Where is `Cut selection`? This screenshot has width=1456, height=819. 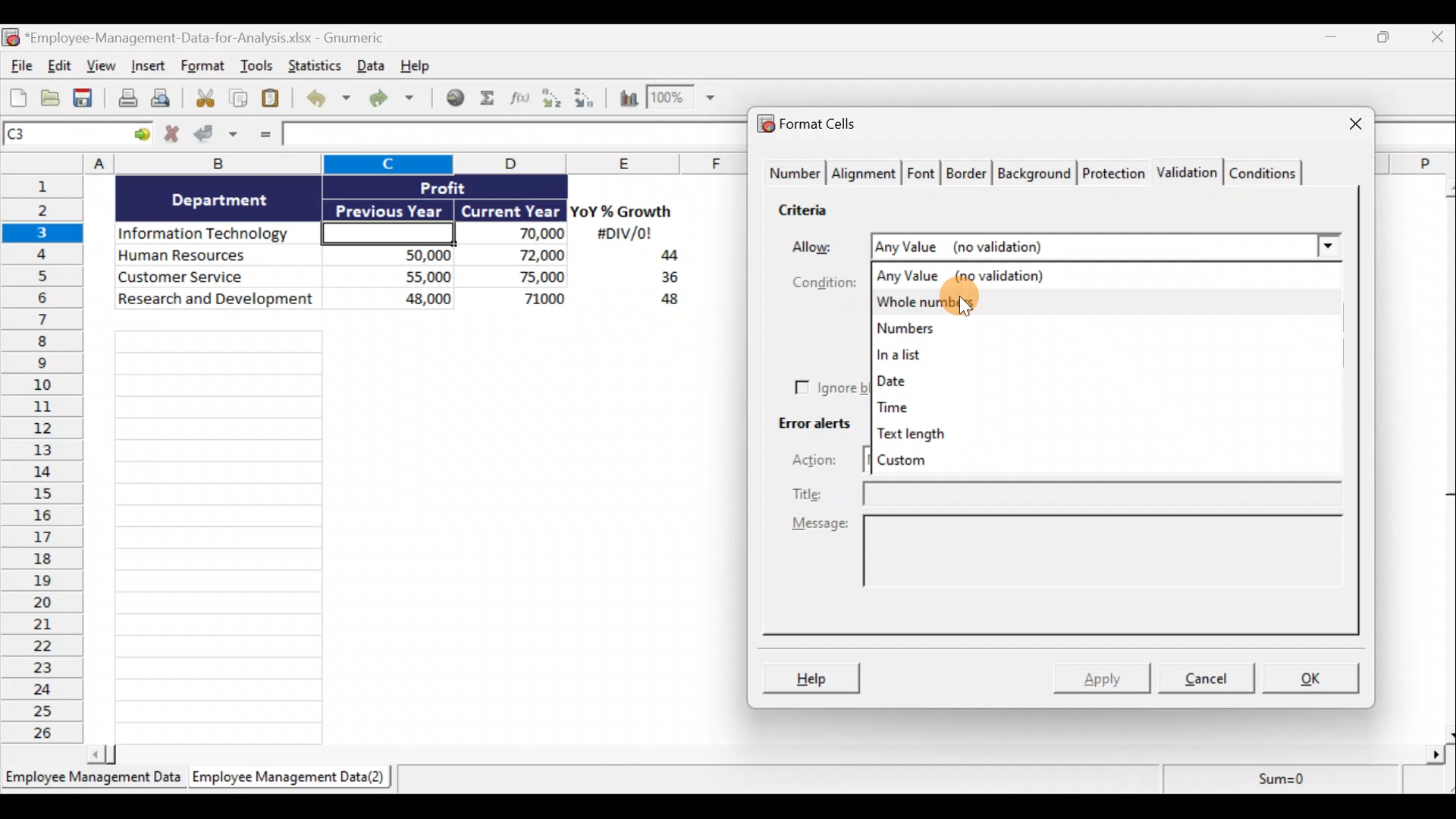
Cut selection is located at coordinates (204, 99).